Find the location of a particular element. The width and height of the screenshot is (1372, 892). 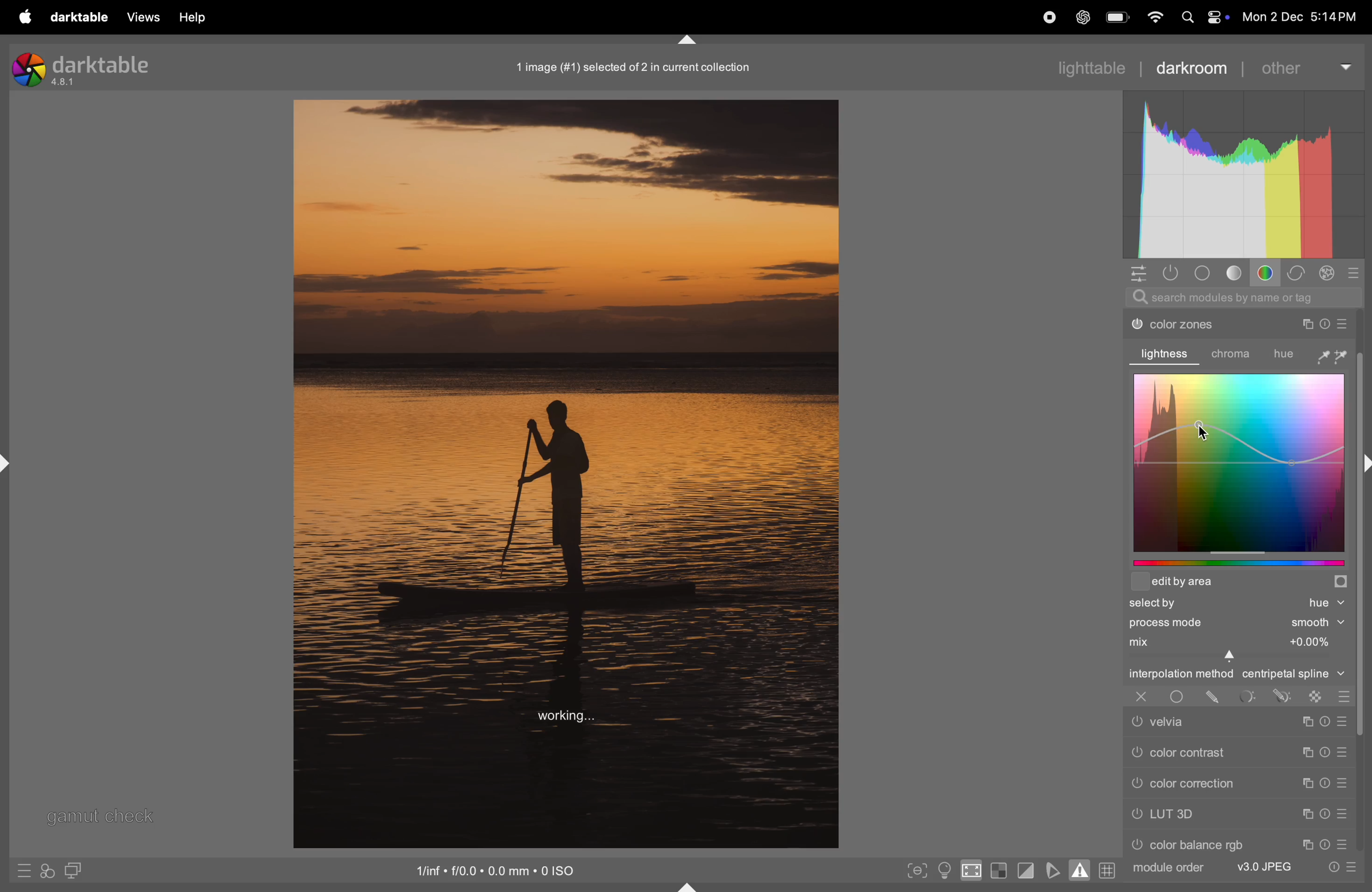

selected hue is located at coordinates (1238, 604).